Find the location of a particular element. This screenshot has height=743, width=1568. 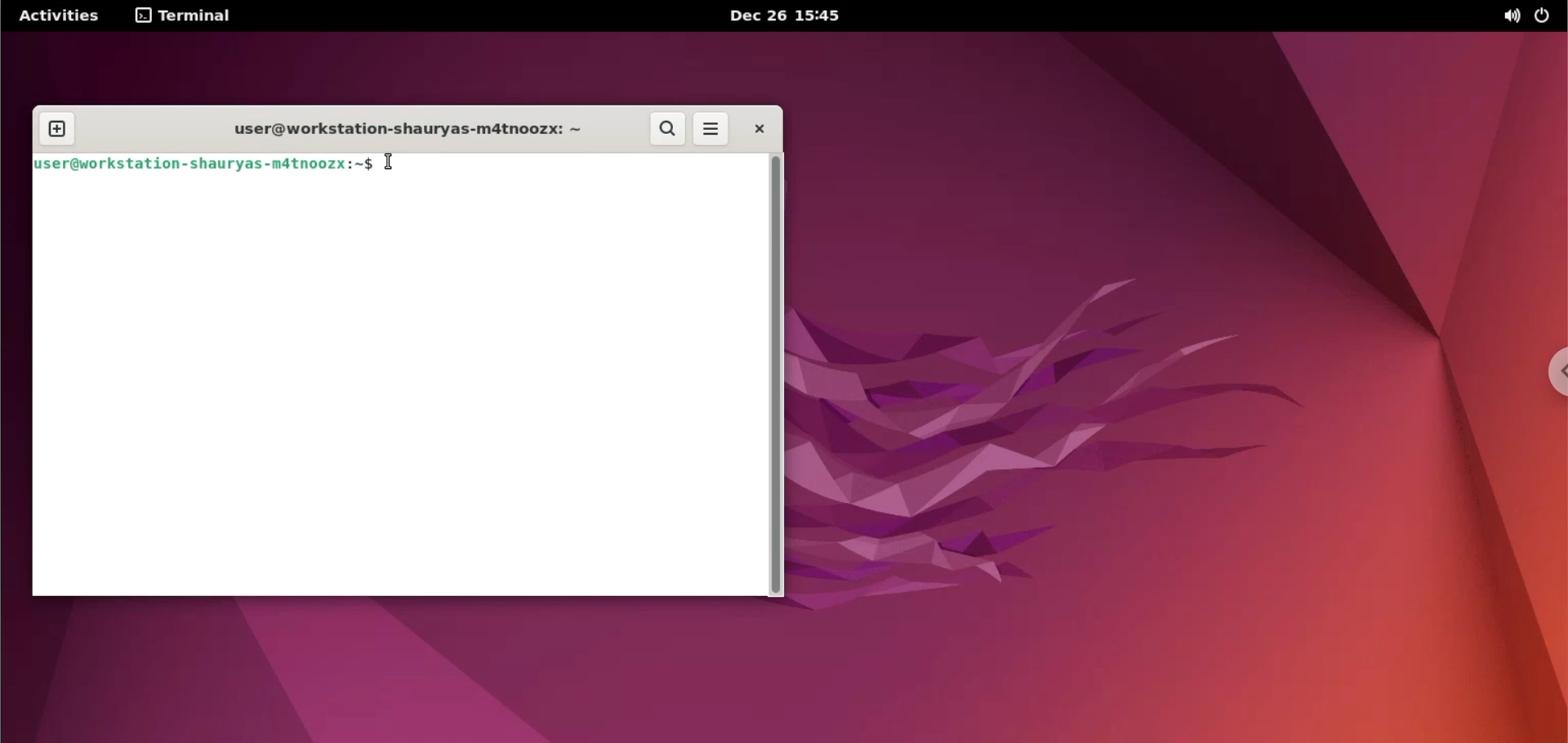

terminal is located at coordinates (185, 17).